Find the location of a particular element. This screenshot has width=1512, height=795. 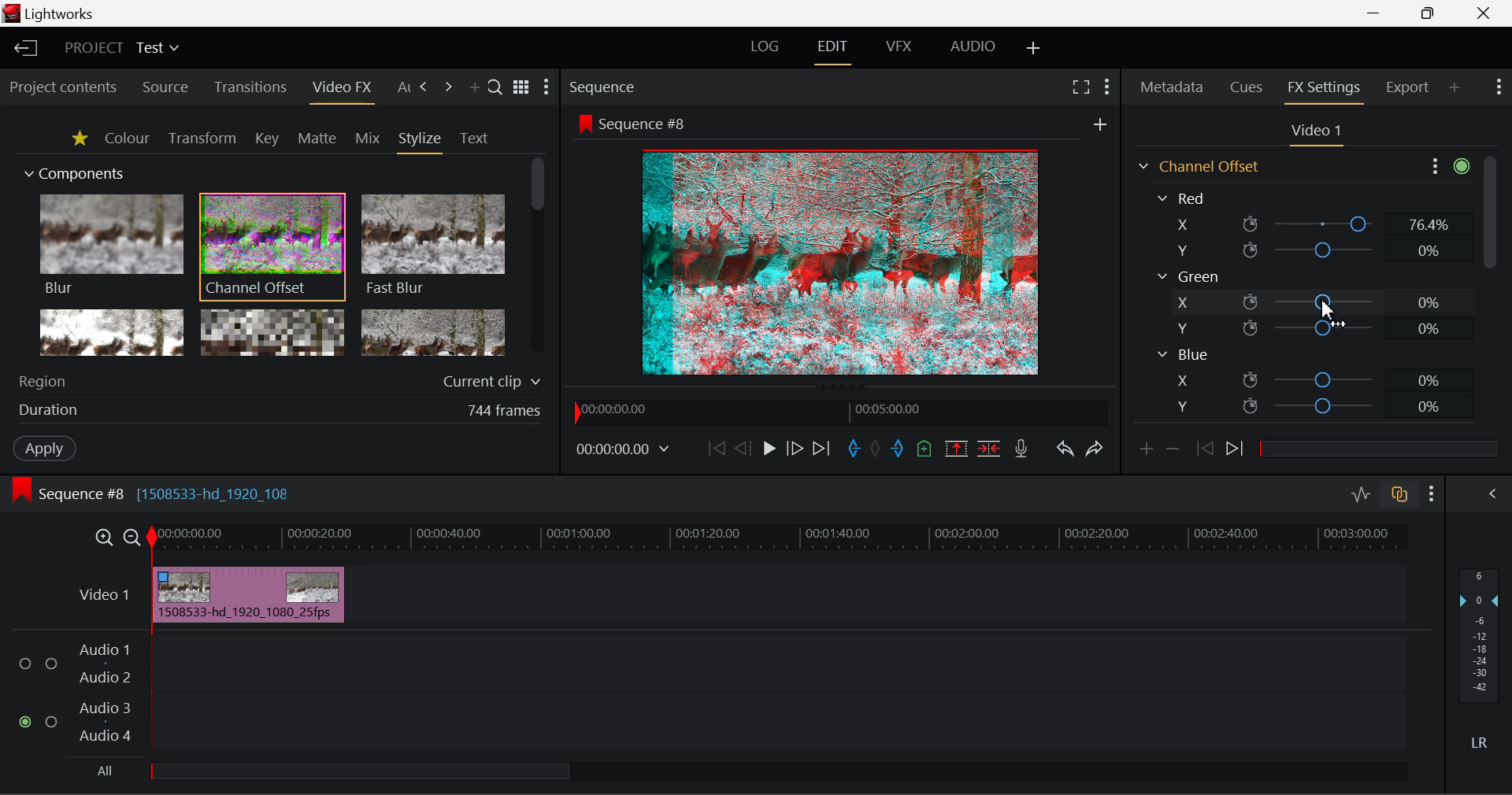

Components Section is located at coordinates (72, 171).